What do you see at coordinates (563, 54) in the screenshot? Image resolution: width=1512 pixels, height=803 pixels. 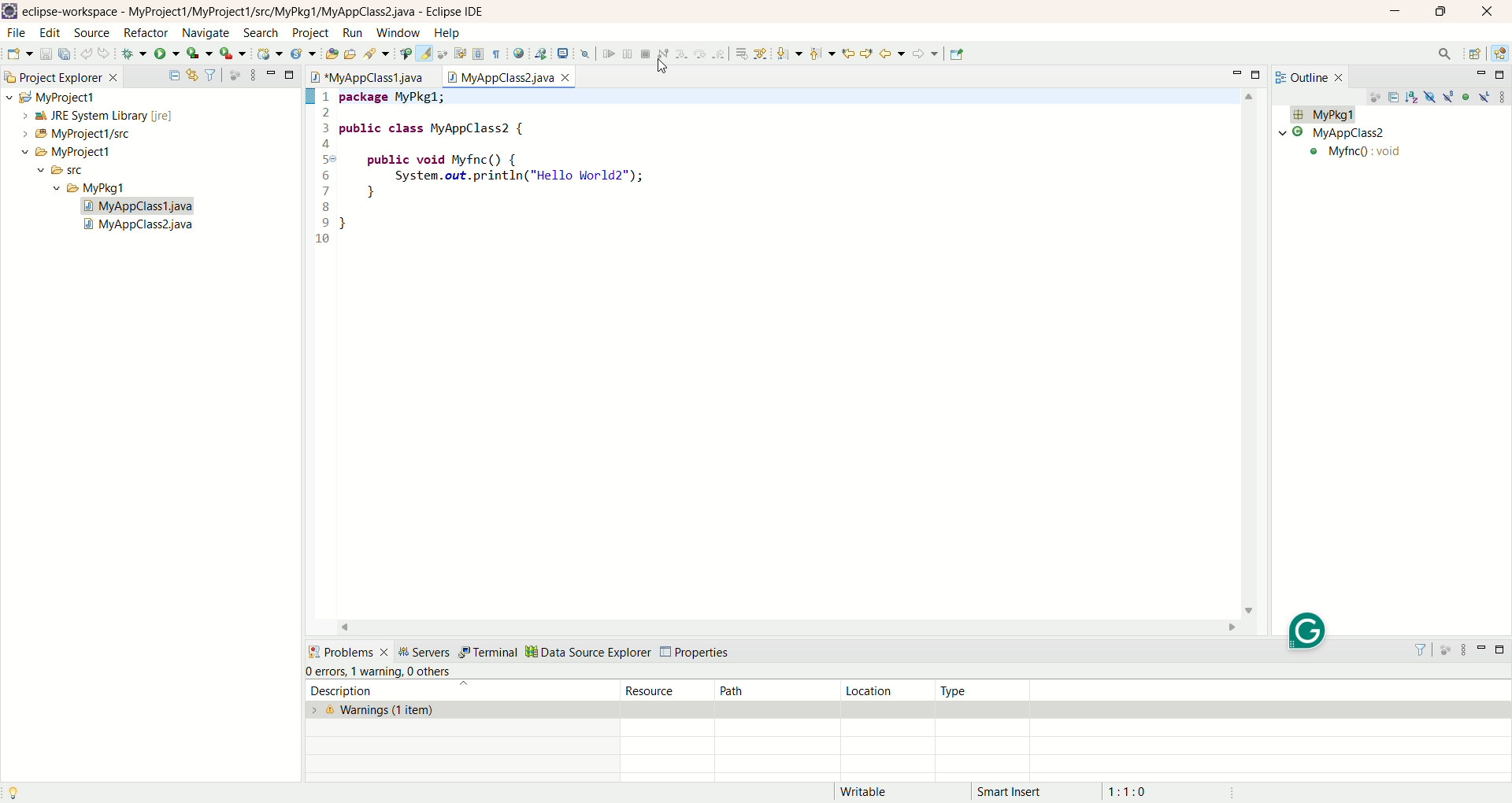 I see `open a terminal` at bounding box center [563, 54].